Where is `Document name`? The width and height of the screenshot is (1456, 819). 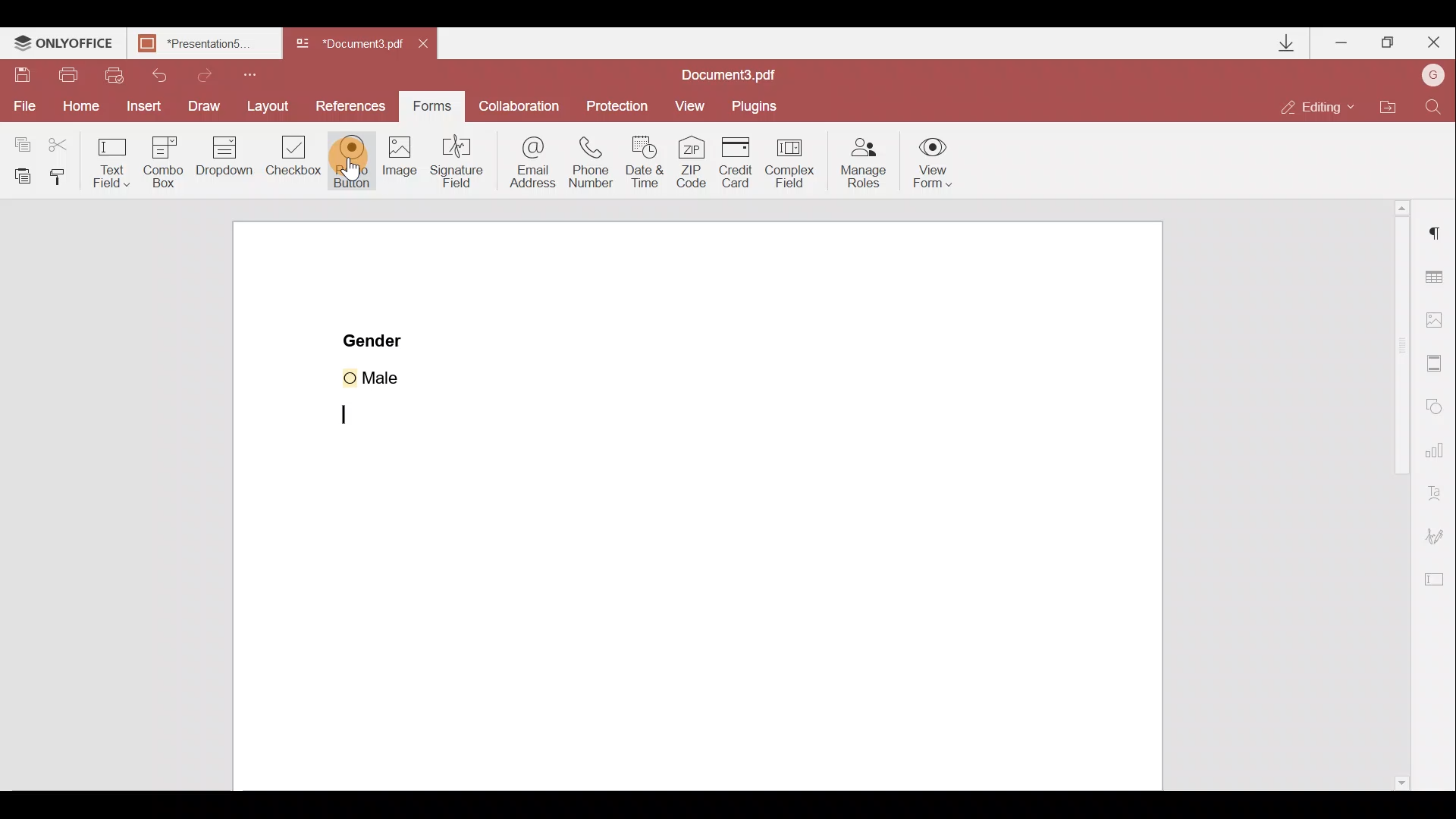
Document name is located at coordinates (733, 73).